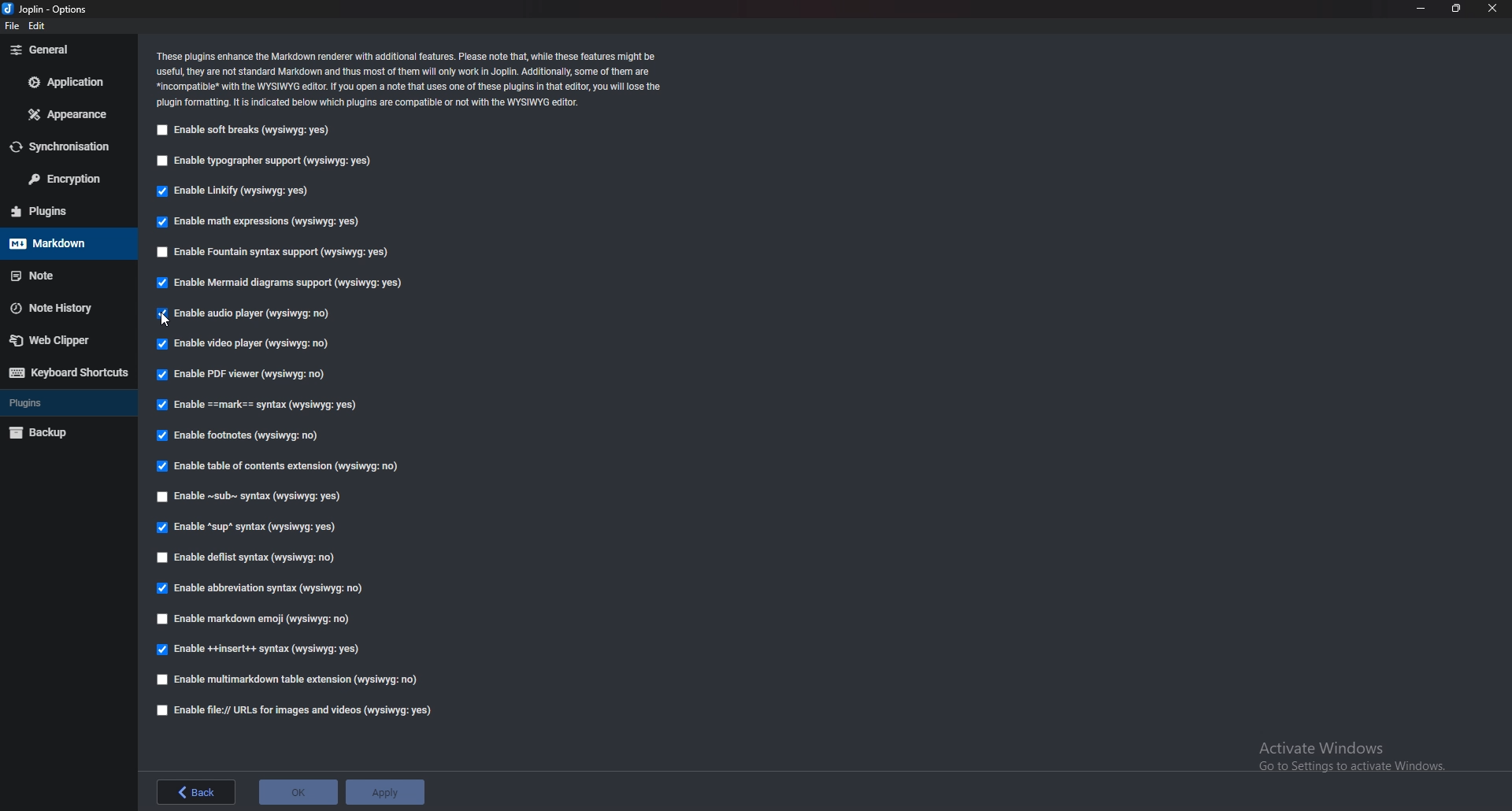 This screenshot has width=1512, height=811. What do you see at coordinates (252, 497) in the screenshot?
I see `Enable Sub syntax` at bounding box center [252, 497].